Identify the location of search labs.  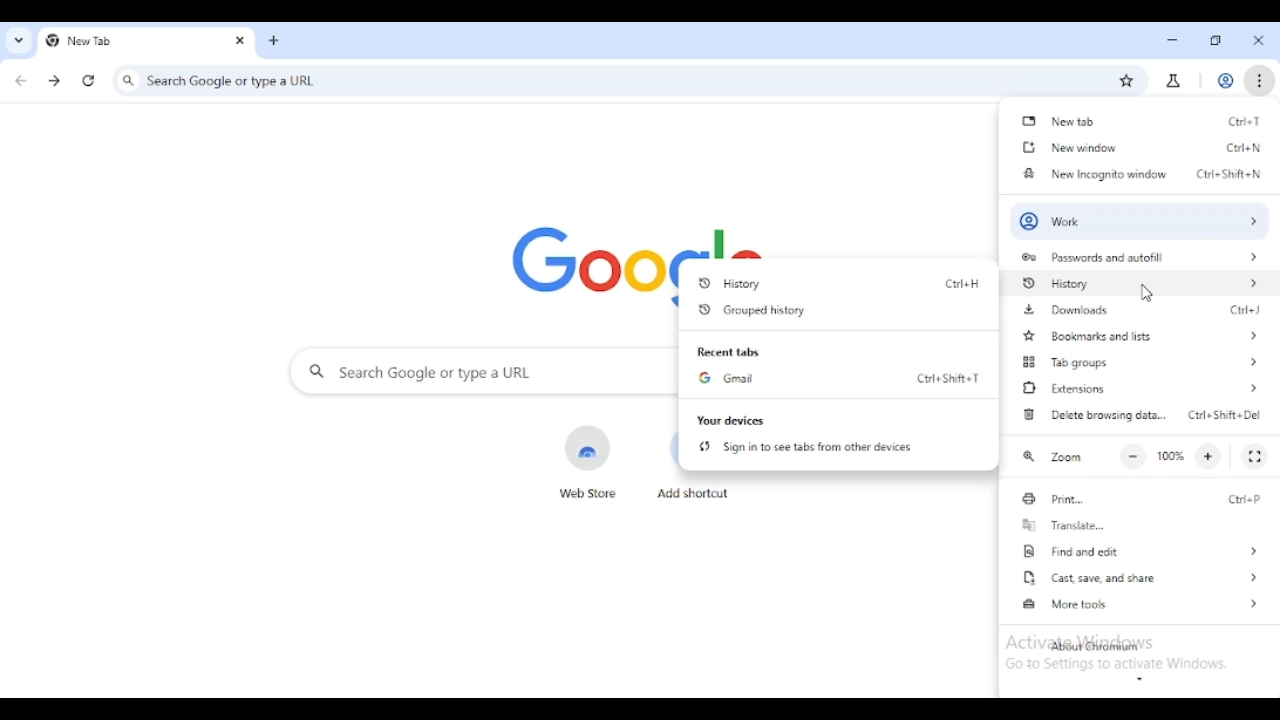
(1172, 82).